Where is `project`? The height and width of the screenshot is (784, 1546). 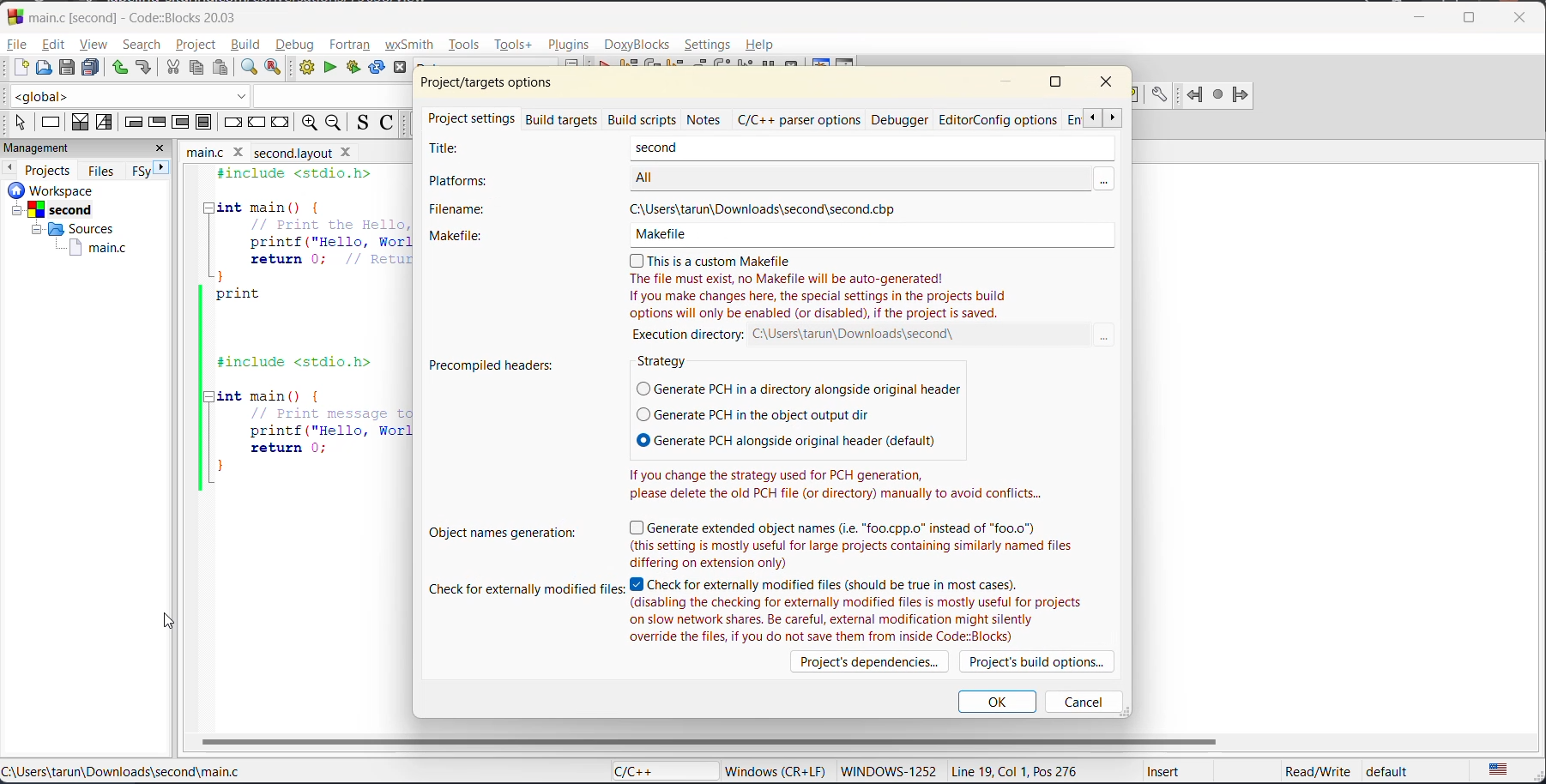
project is located at coordinates (190, 43).